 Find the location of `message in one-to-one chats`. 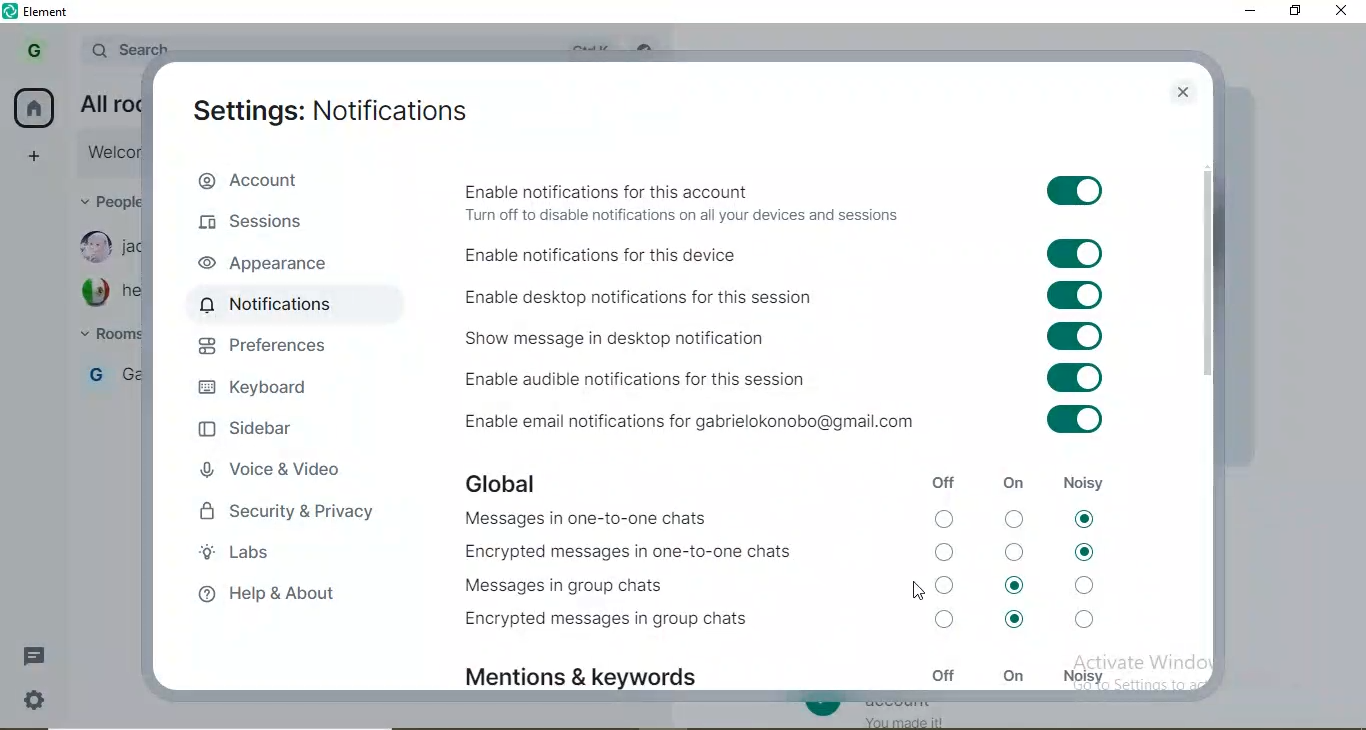

message in one-to-one chats is located at coordinates (587, 520).